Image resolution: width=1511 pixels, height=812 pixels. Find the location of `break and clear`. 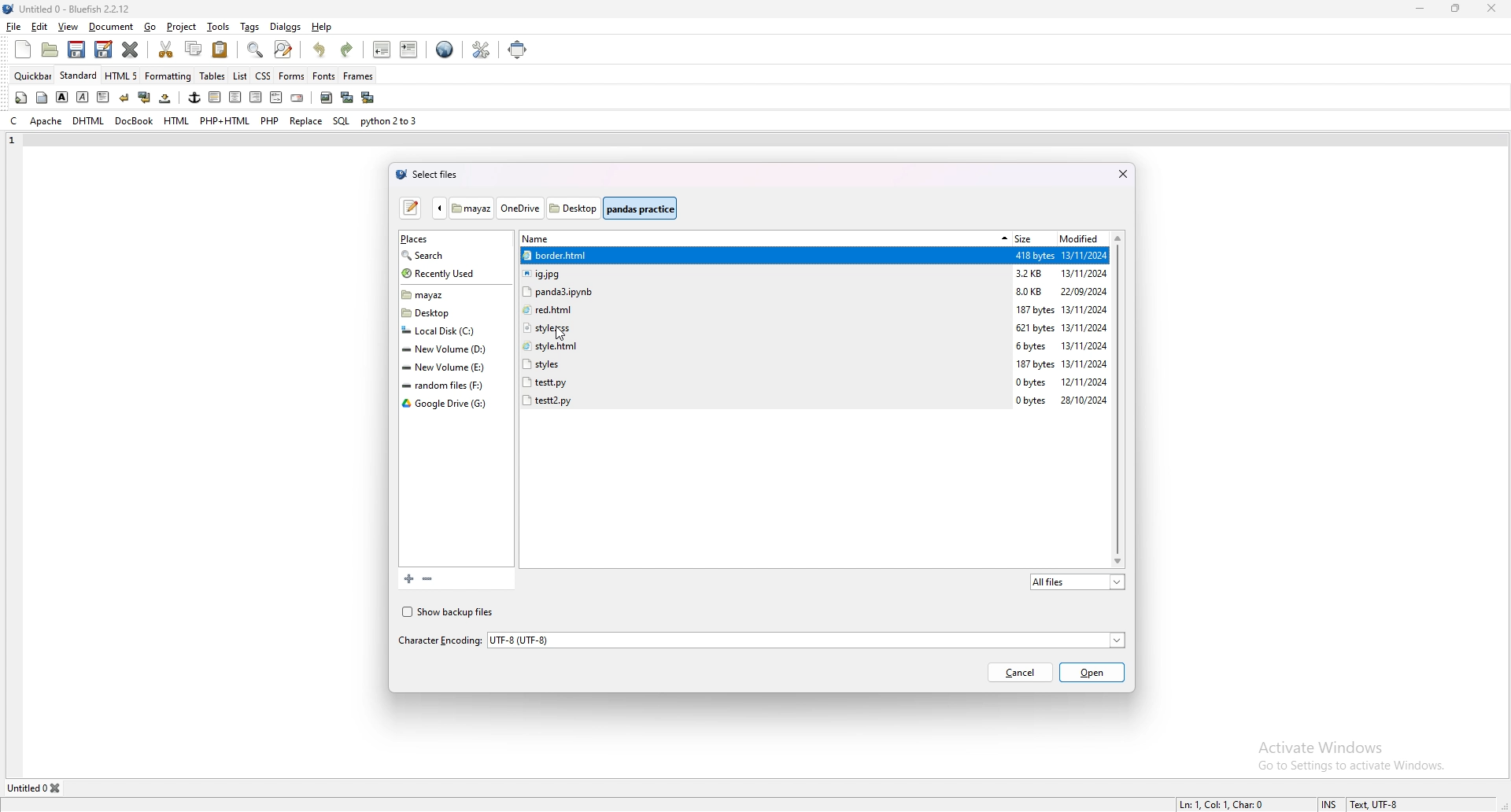

break and clear is located at coordinates (146, 97).